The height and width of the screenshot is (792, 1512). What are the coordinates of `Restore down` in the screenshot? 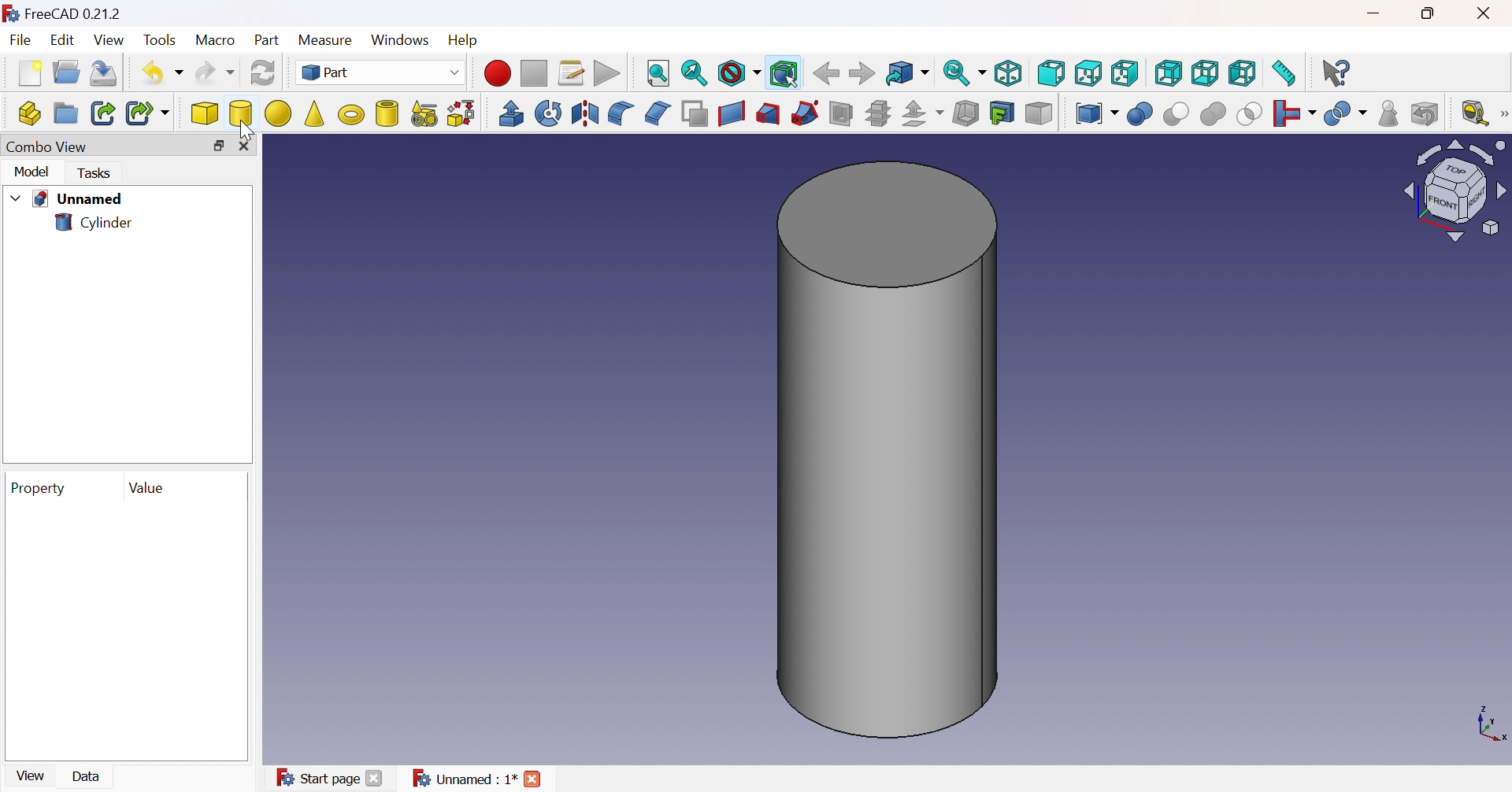 It's located at (220, 147).